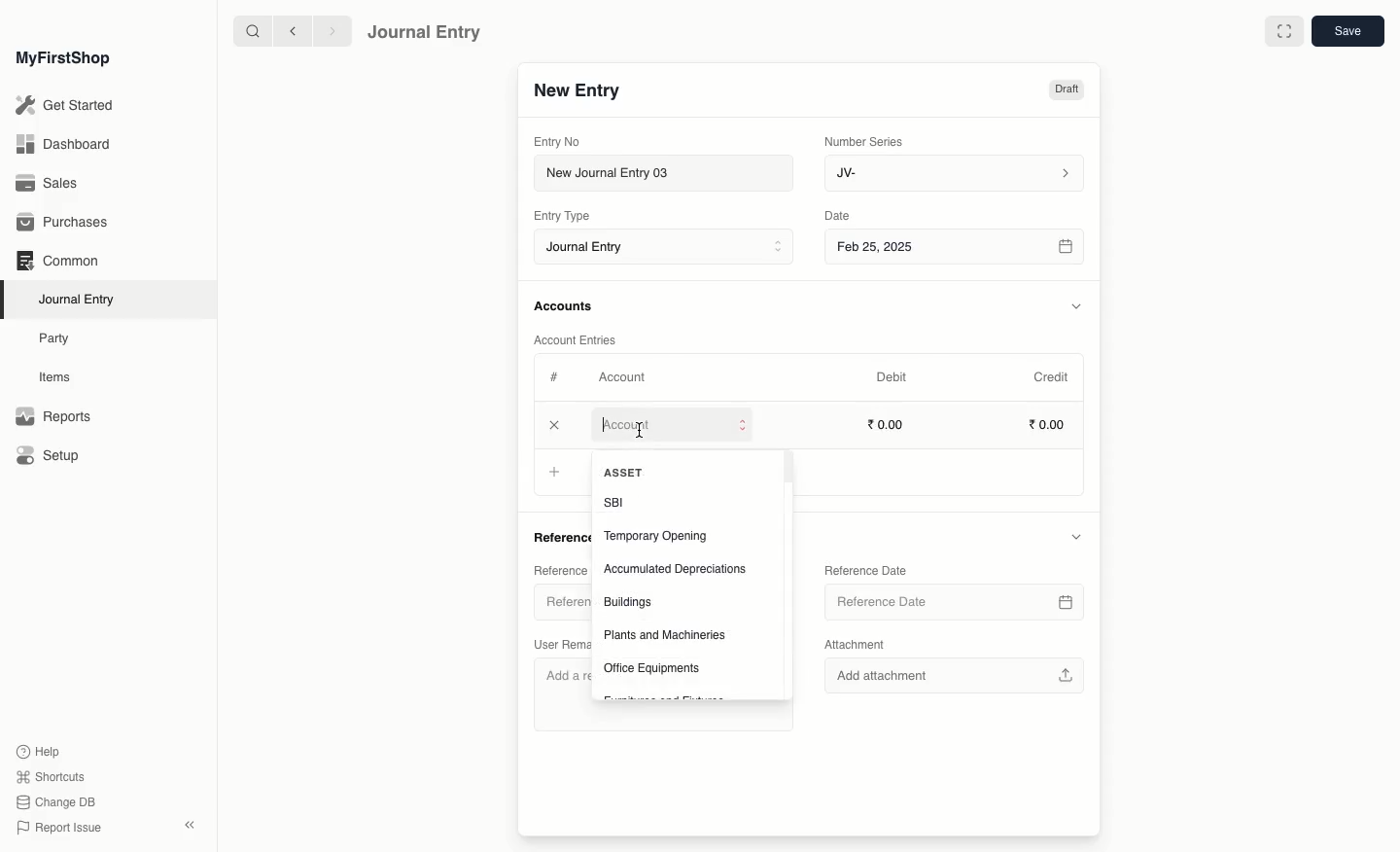 The image size is (1400, 852). I want to click on Cursor, so click(644, 431).